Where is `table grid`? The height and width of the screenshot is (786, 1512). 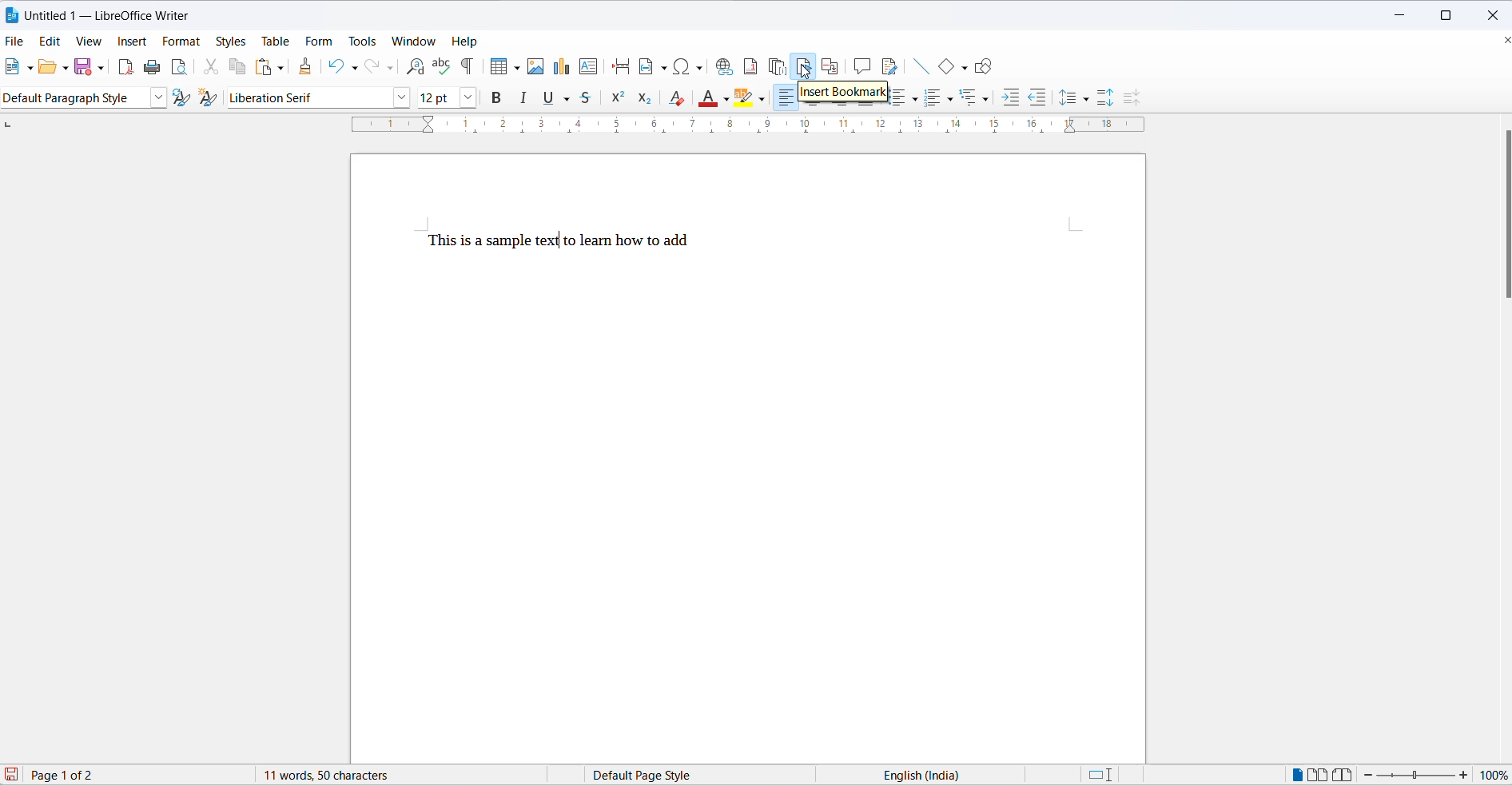 table grid is located at coordinates (515, 69).